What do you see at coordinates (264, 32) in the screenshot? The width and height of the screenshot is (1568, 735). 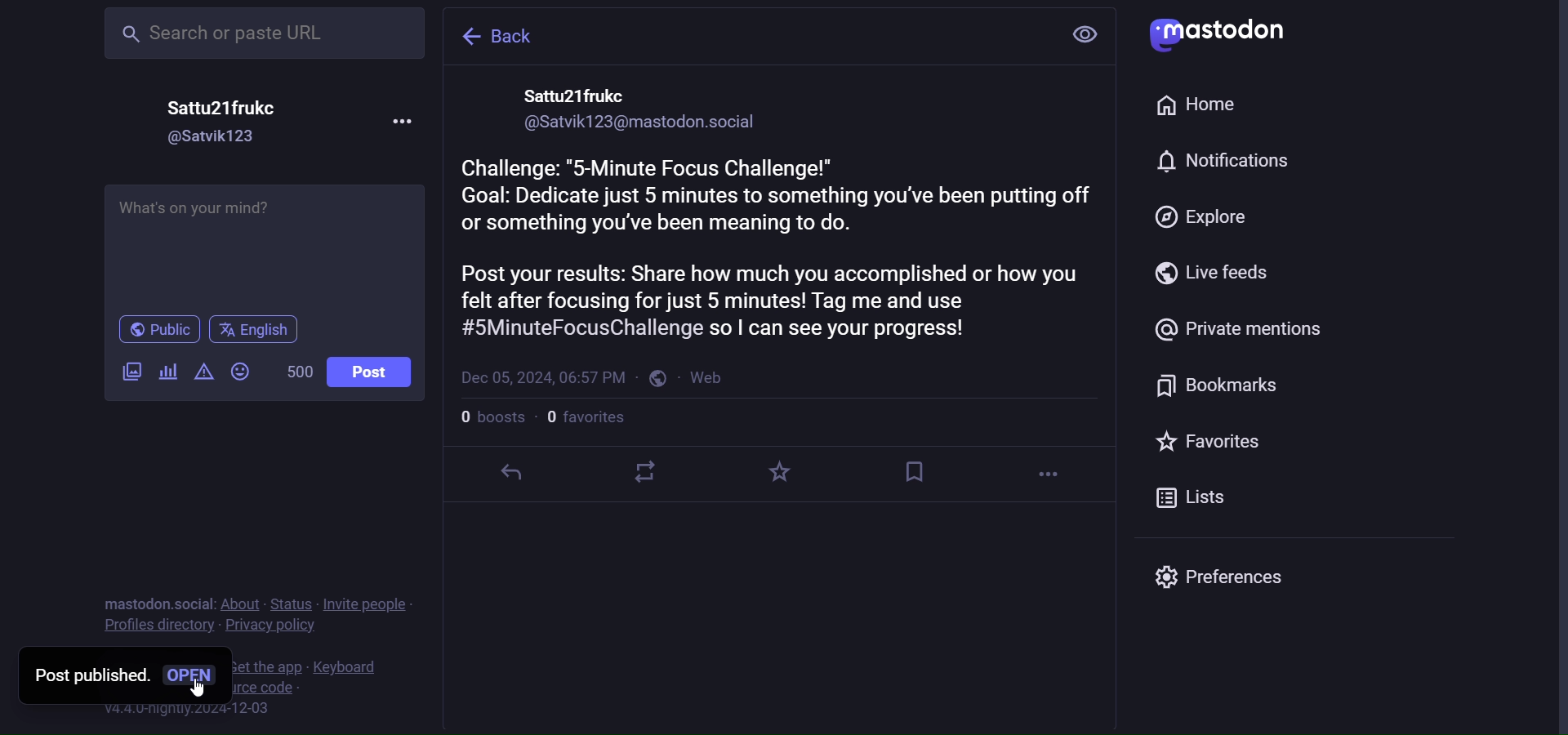 I see `search` at bounding box center [264, 32].